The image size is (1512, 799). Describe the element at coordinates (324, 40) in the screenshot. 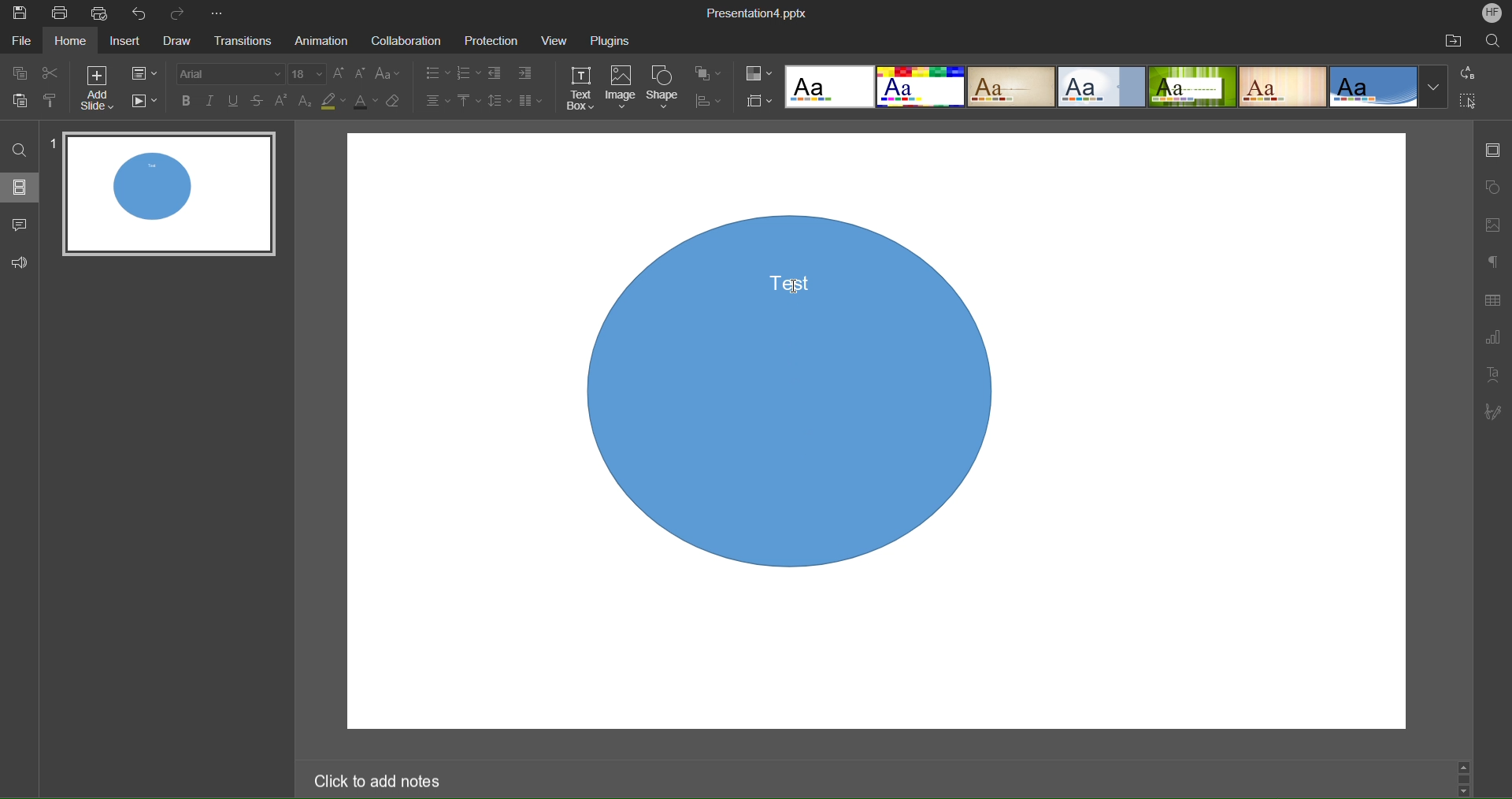

I see `Animation` at that location.